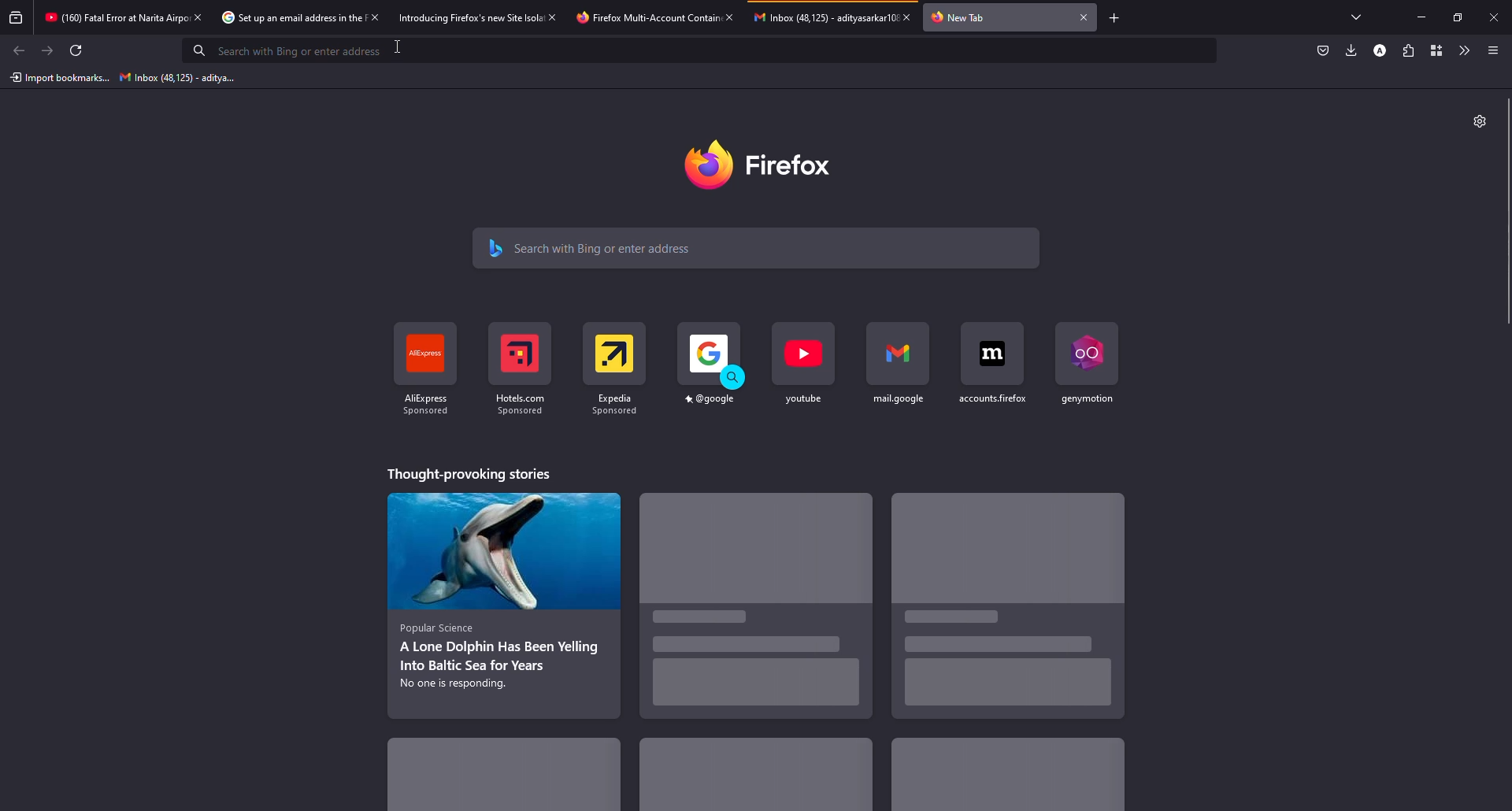 The height and width of the screenshot is (811, 1512). I want to click on shortcut, so click(427, 367).